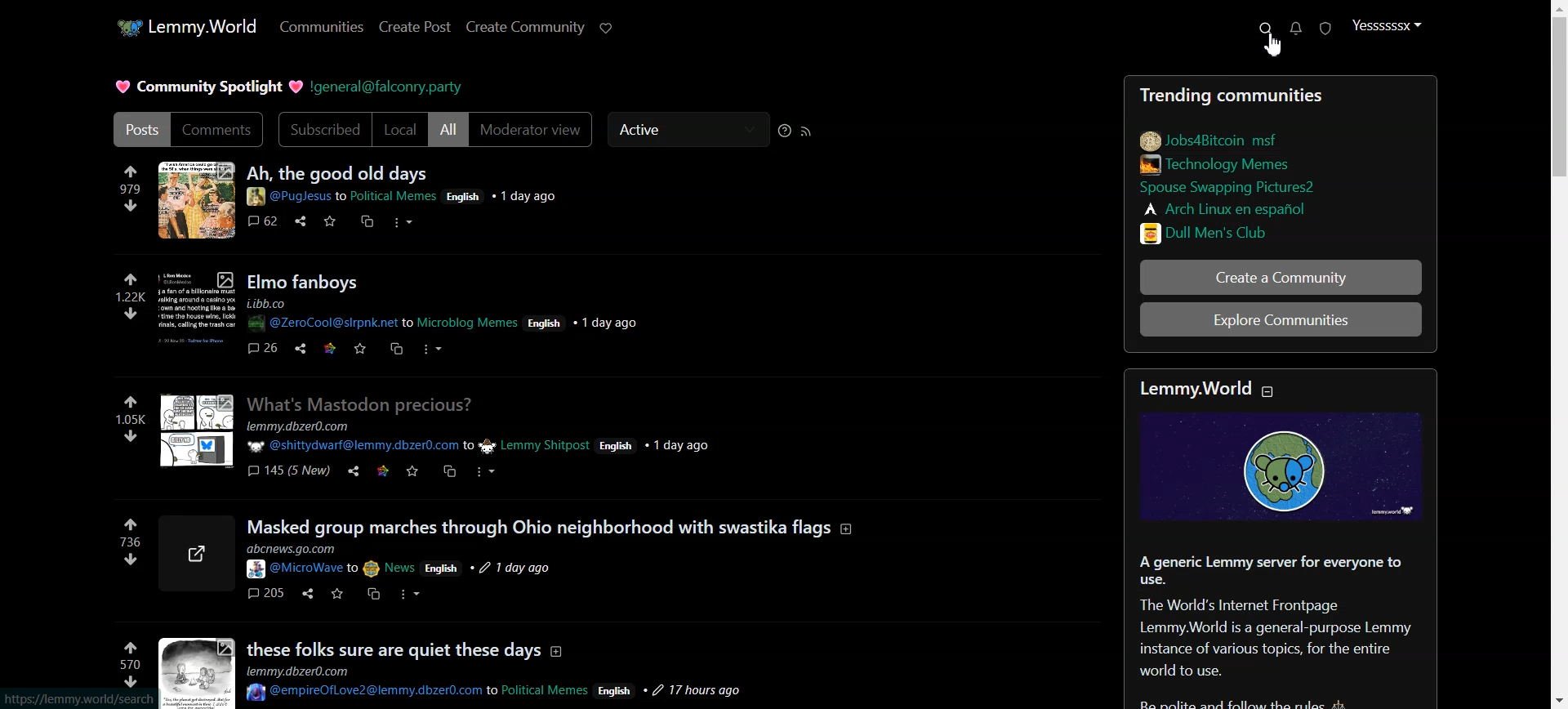  Describe the element at coordinates (220, 130) in the screenshot. I see `Comments` at that location.